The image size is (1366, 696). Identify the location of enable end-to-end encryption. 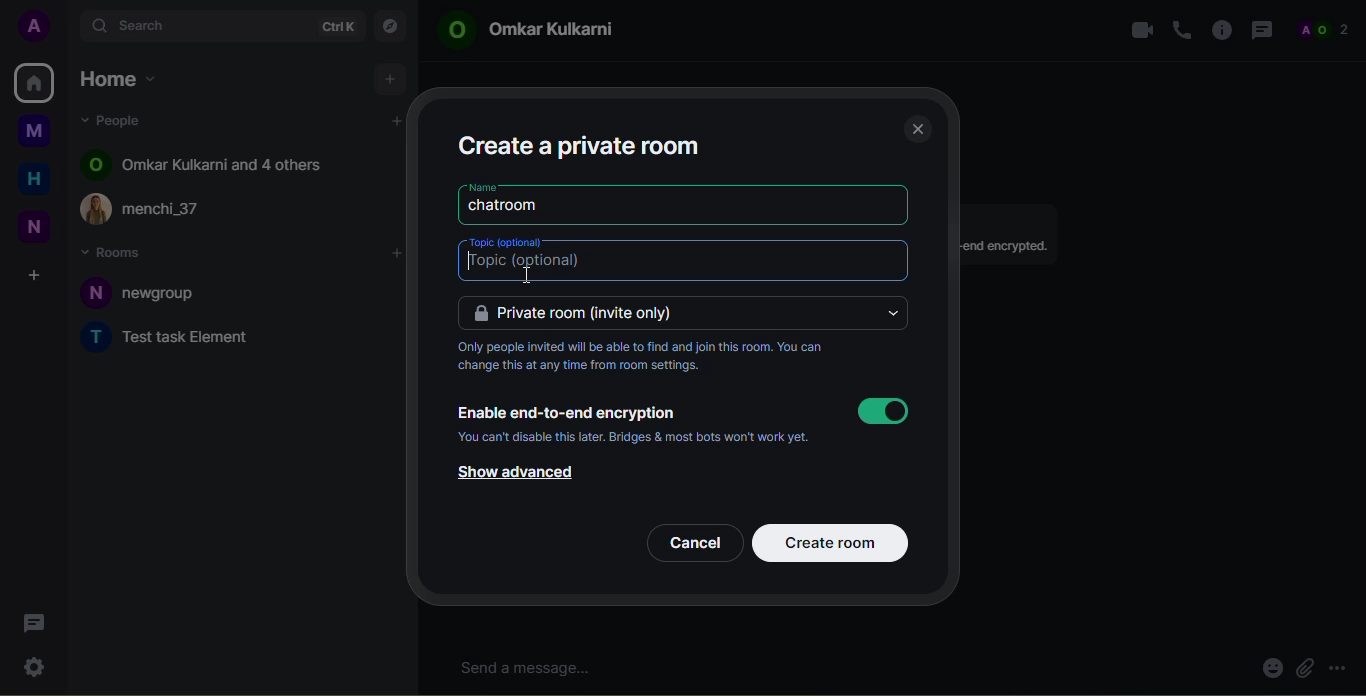
(567, 410).